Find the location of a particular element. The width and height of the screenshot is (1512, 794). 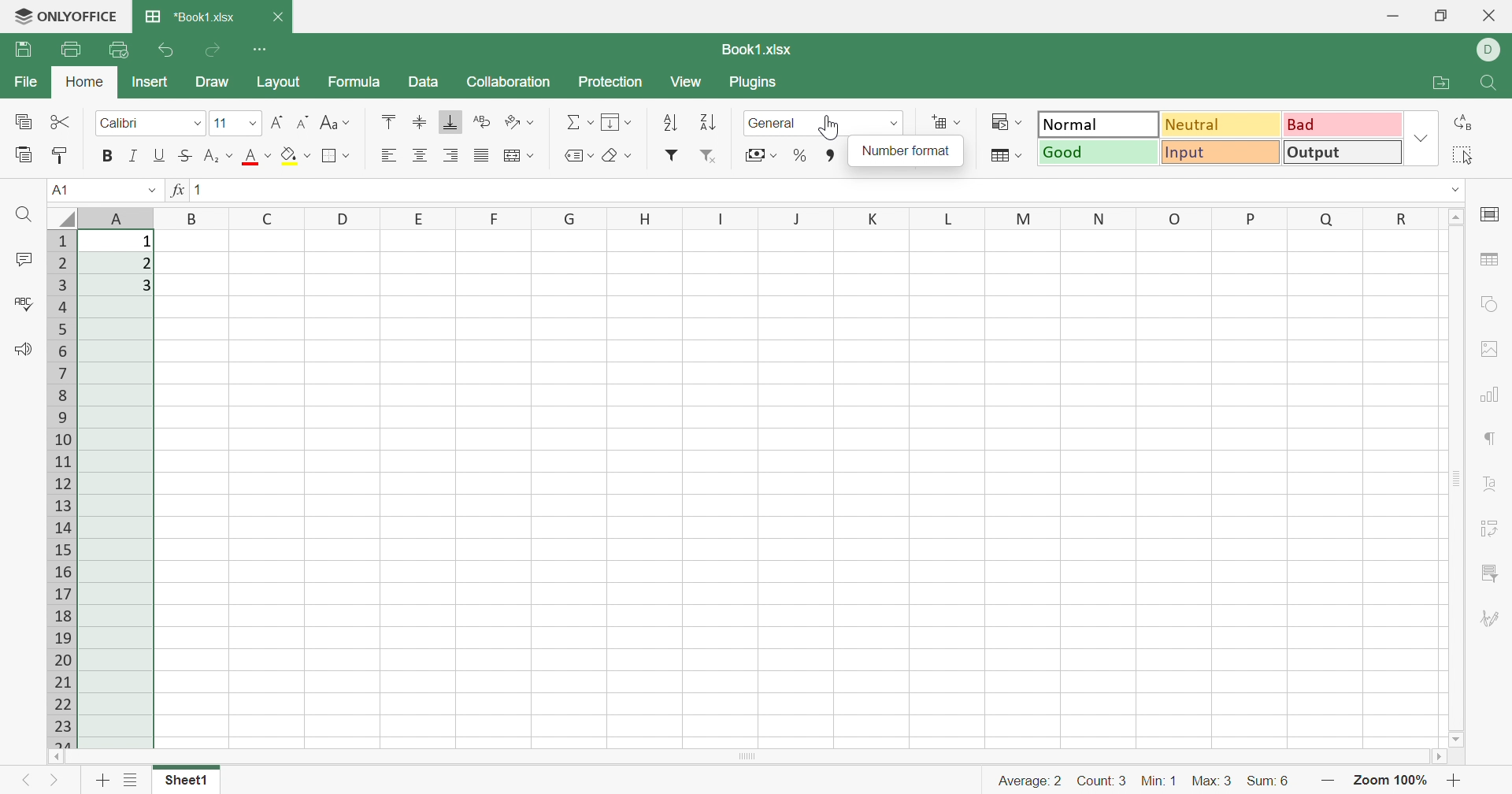

Paragraph settings is located at coordinates (1492, 439).